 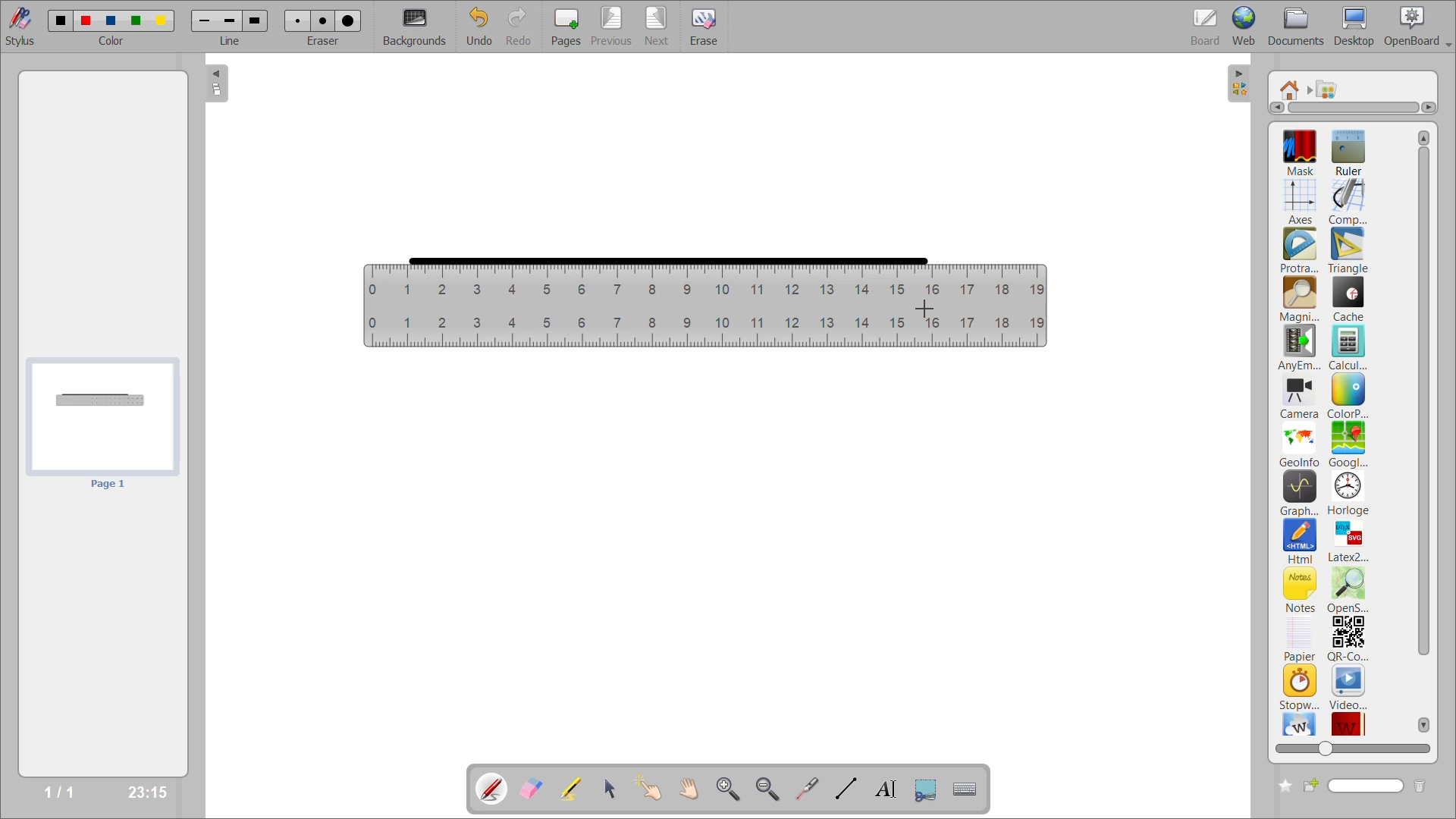 I want to click on annotate document, so click(x=489, y=787).